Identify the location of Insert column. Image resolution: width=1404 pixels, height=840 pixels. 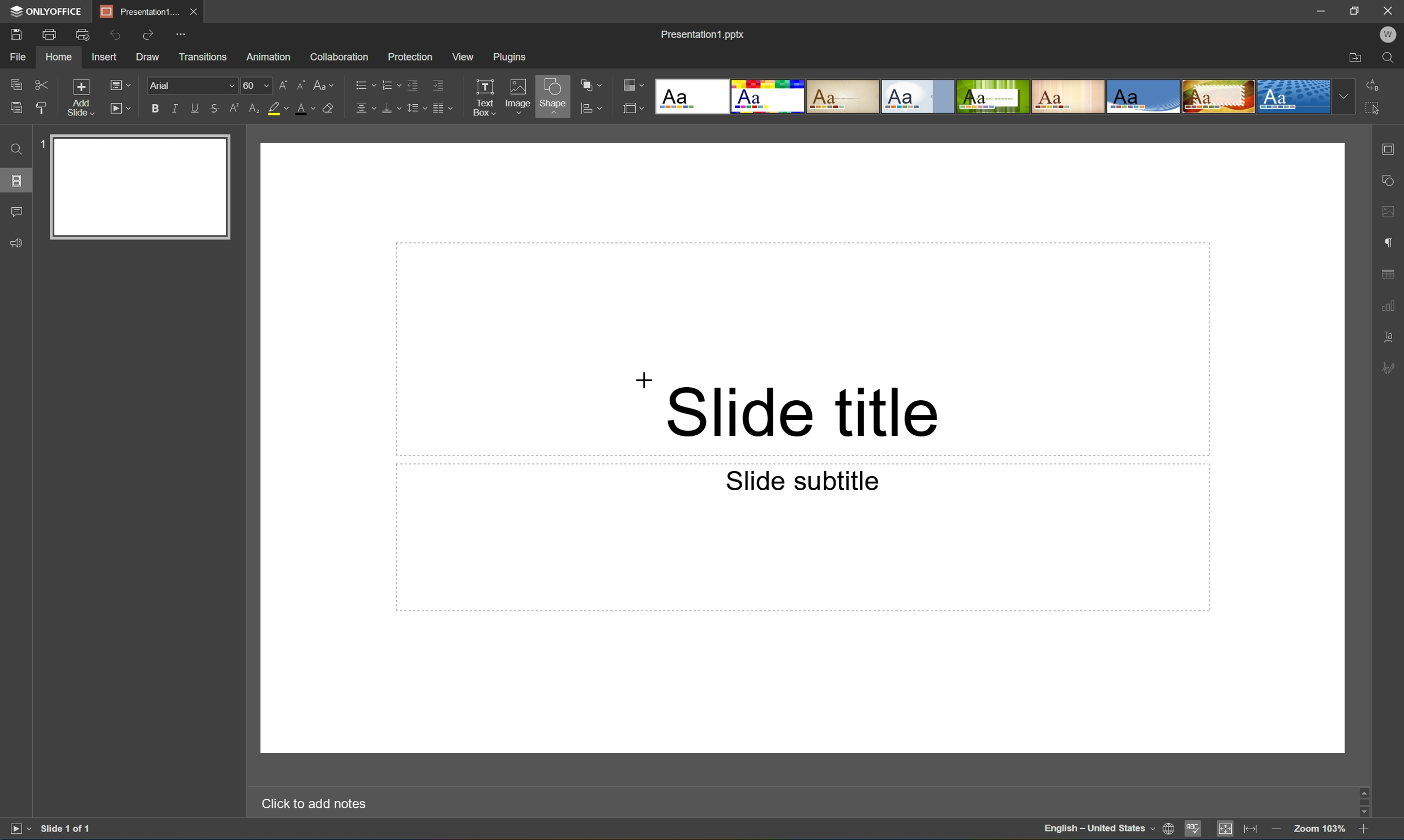
(446, 108).